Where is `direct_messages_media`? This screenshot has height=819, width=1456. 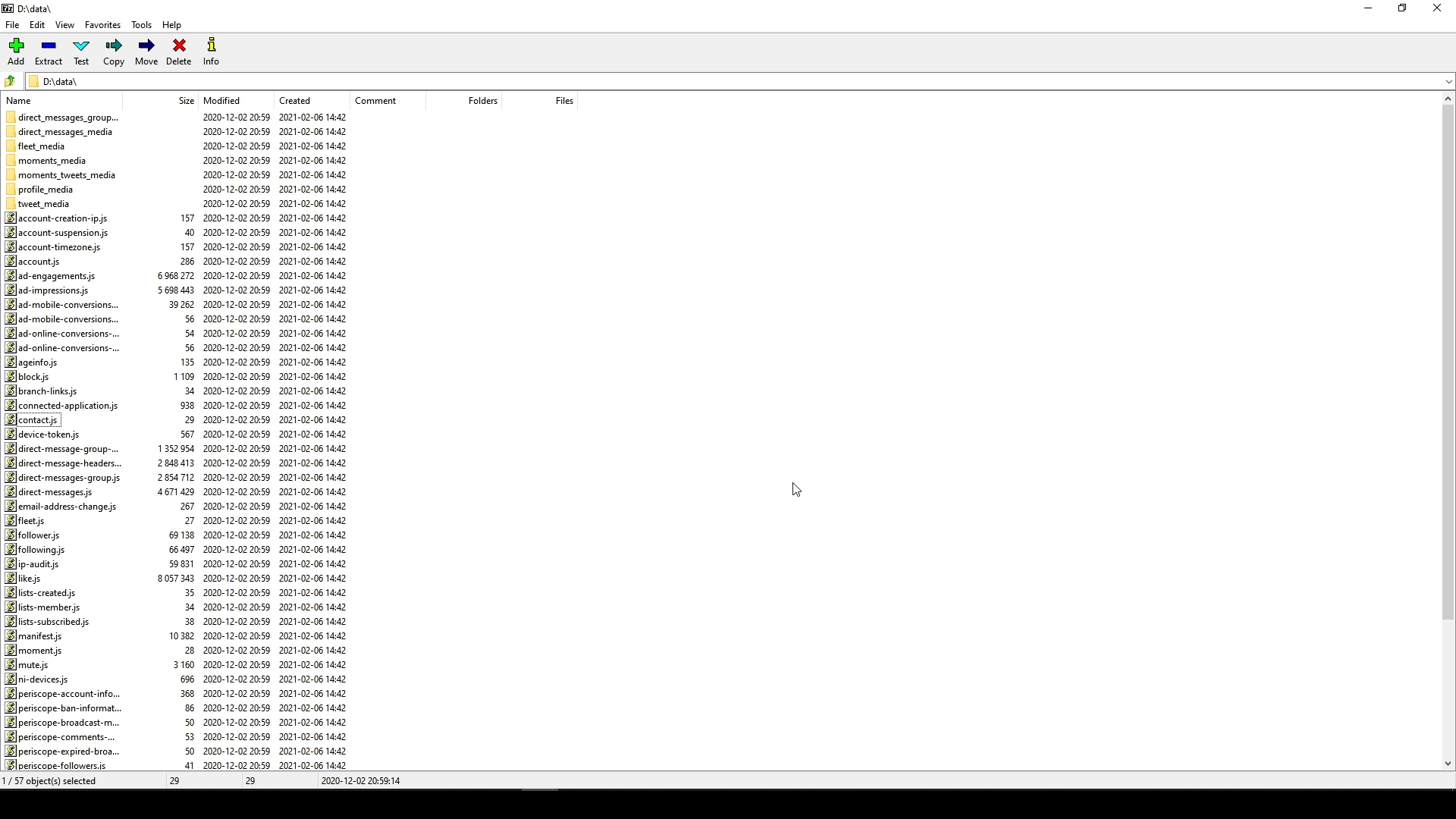
direct_messages_media is located at coordinates (65, 131).